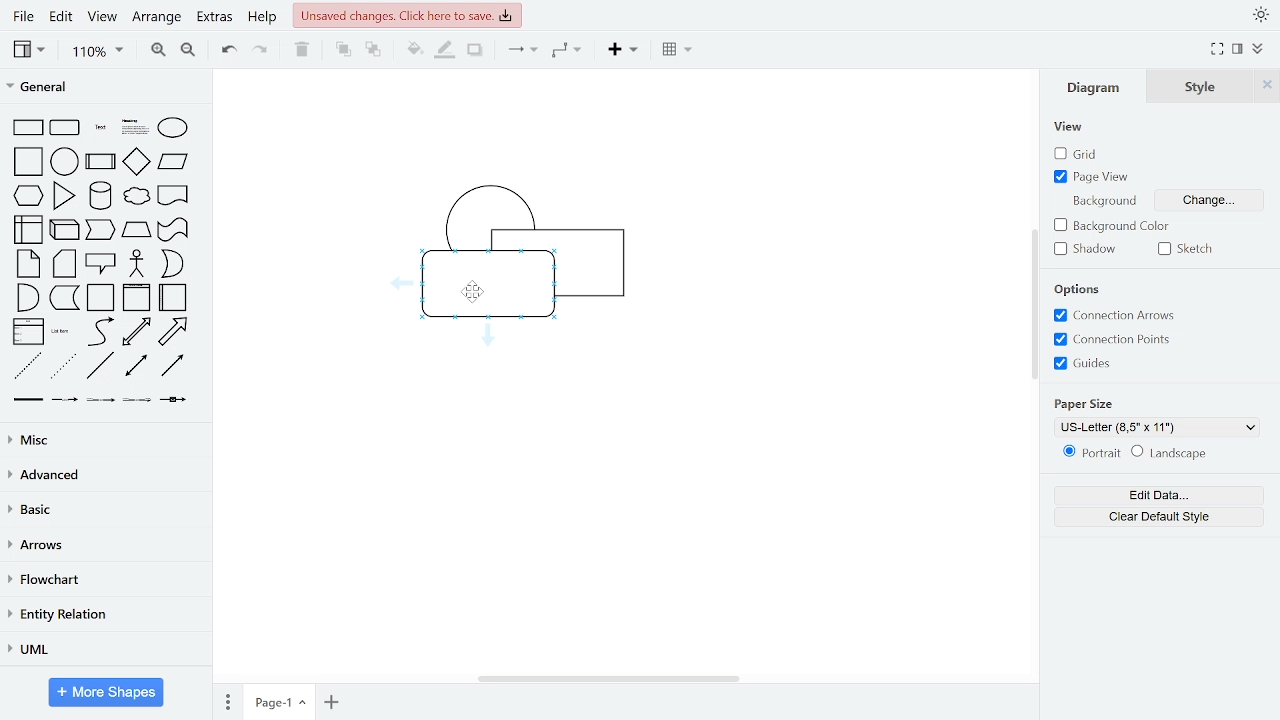 This screenshot has width=1280, height=720. I want to click on connector with label, so click(66, 399).